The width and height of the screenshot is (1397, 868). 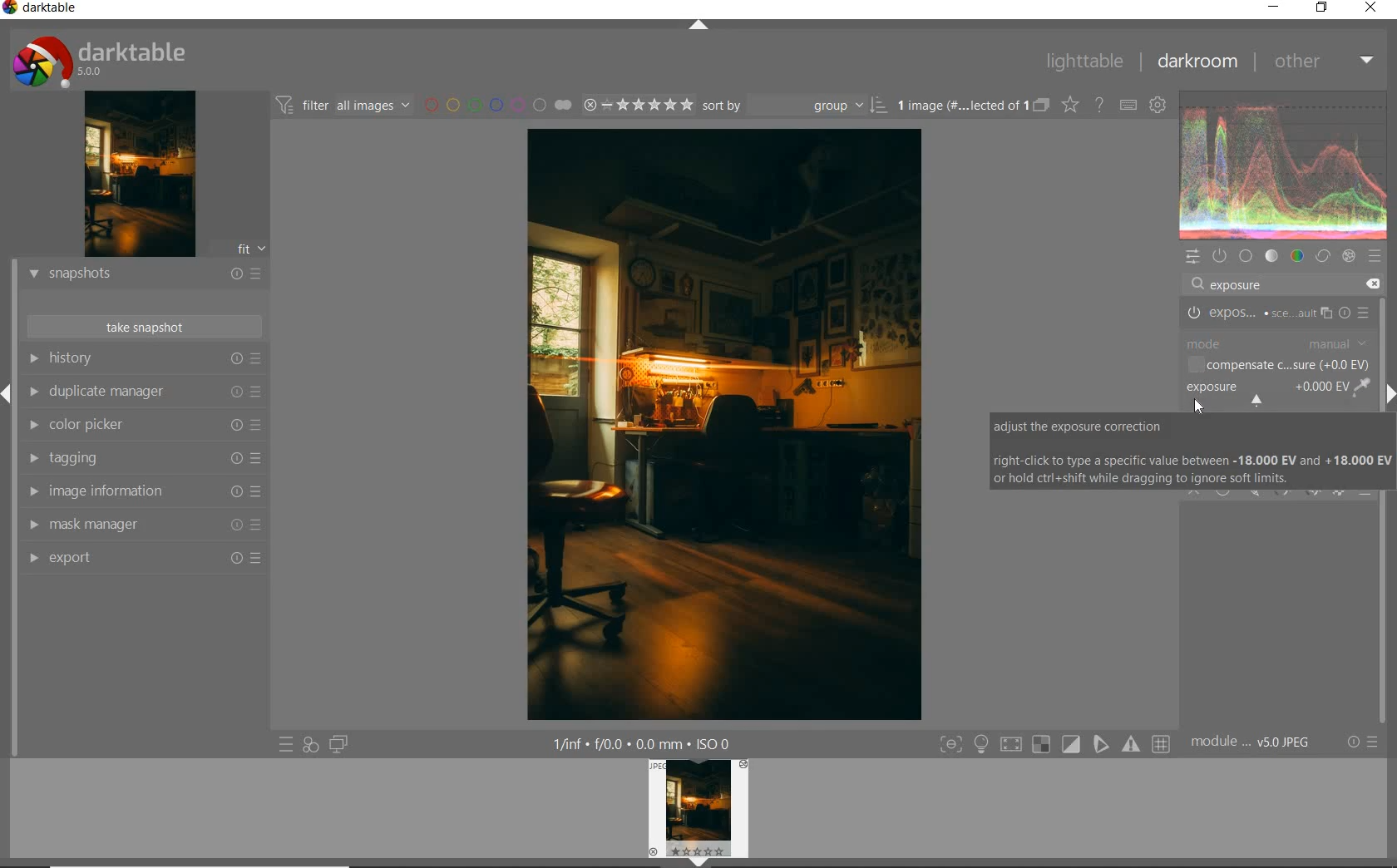 What do you see at coordinates (1192, 451) in the screenshot?
I see `adjust the exposure correction
right-click to type a specific value between -18.000 EV and +18.000 EV
or hold ctrl+shift while dragging to ignore soft limits.` at bounding box center [1192, 451].